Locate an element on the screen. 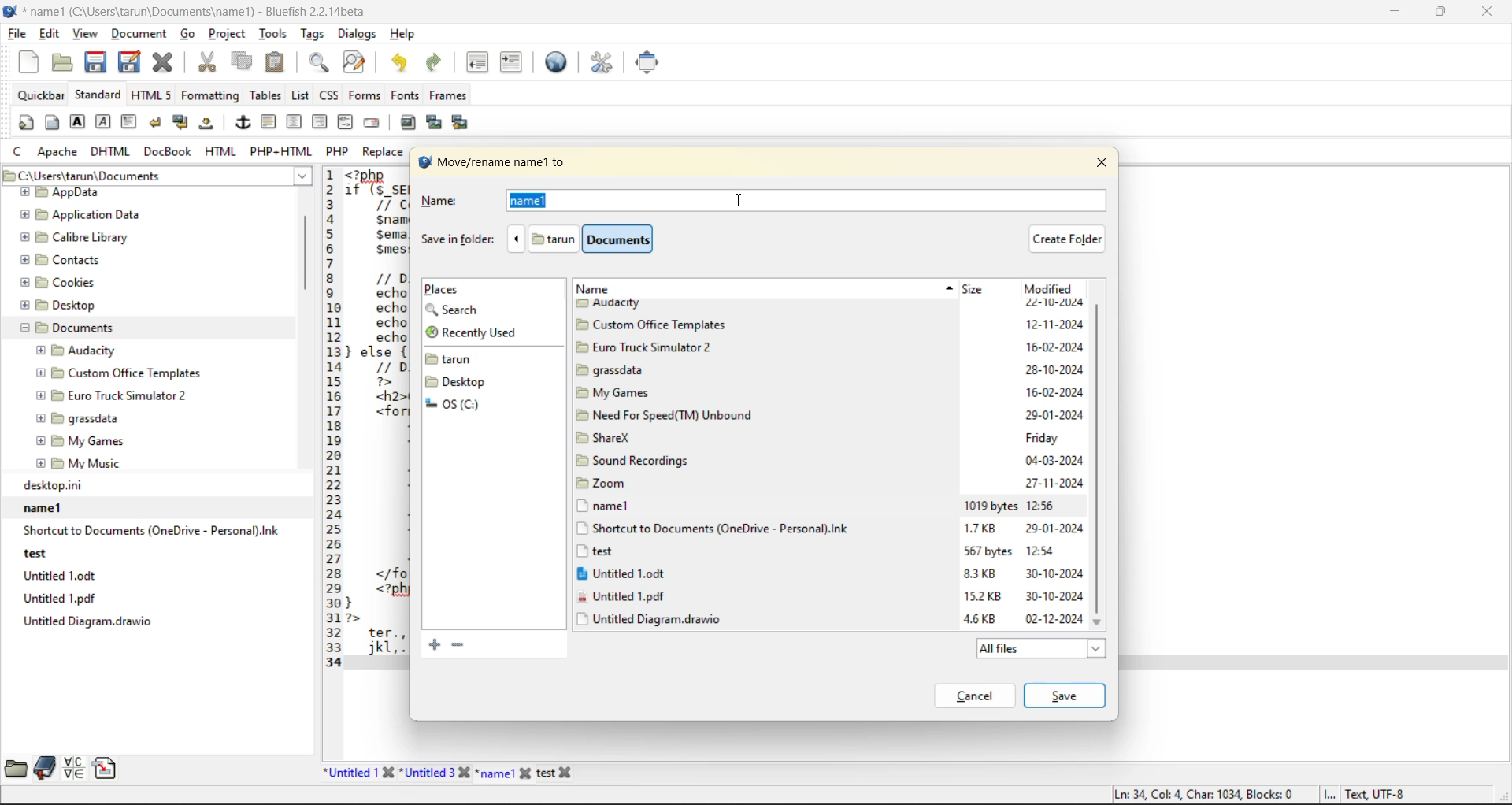 The height and width of the screenshot is (805, 1512). maximize is located at coordinates (1442, 15).